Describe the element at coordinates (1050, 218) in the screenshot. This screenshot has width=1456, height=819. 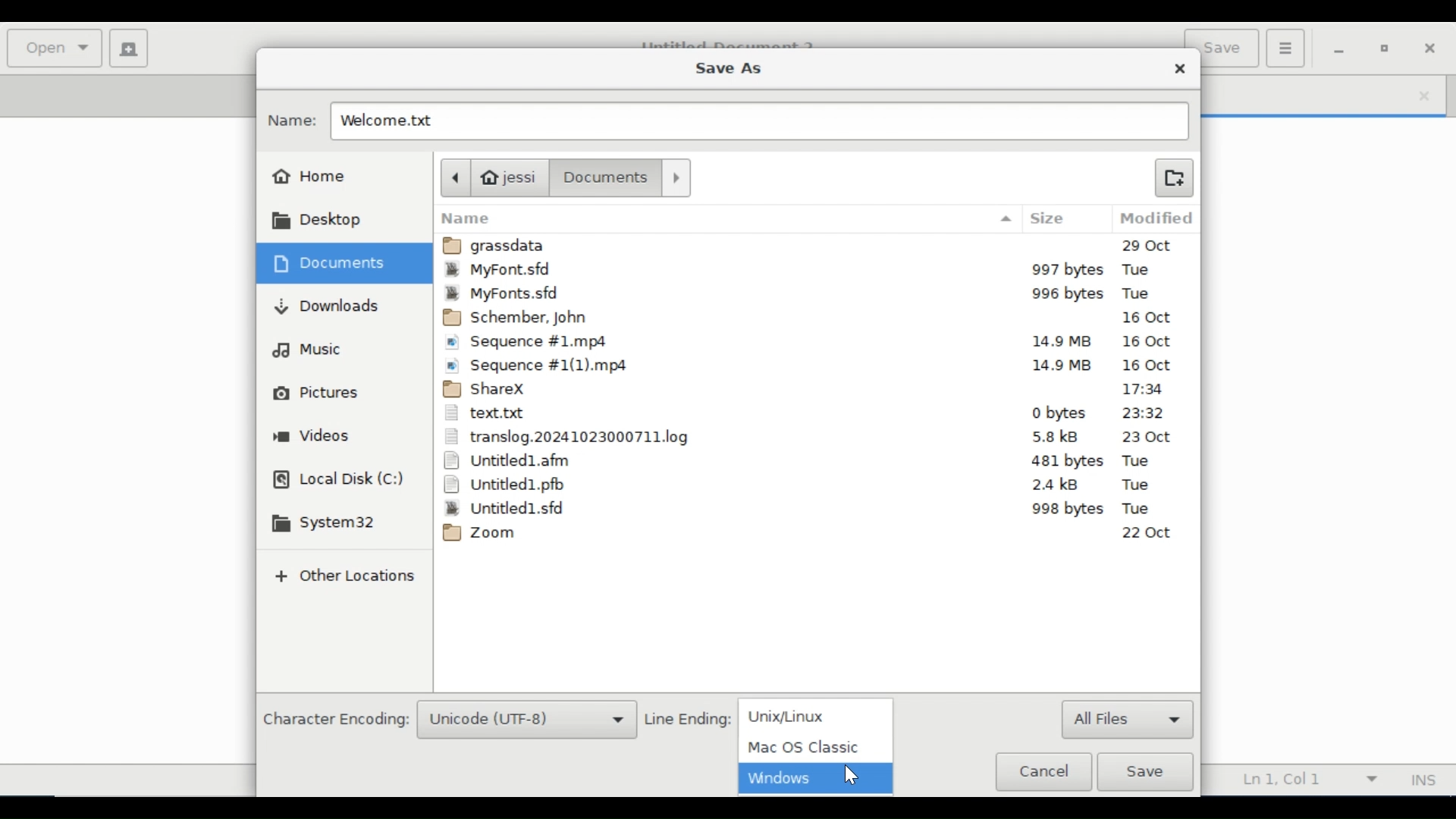
I see `Size` at that location.